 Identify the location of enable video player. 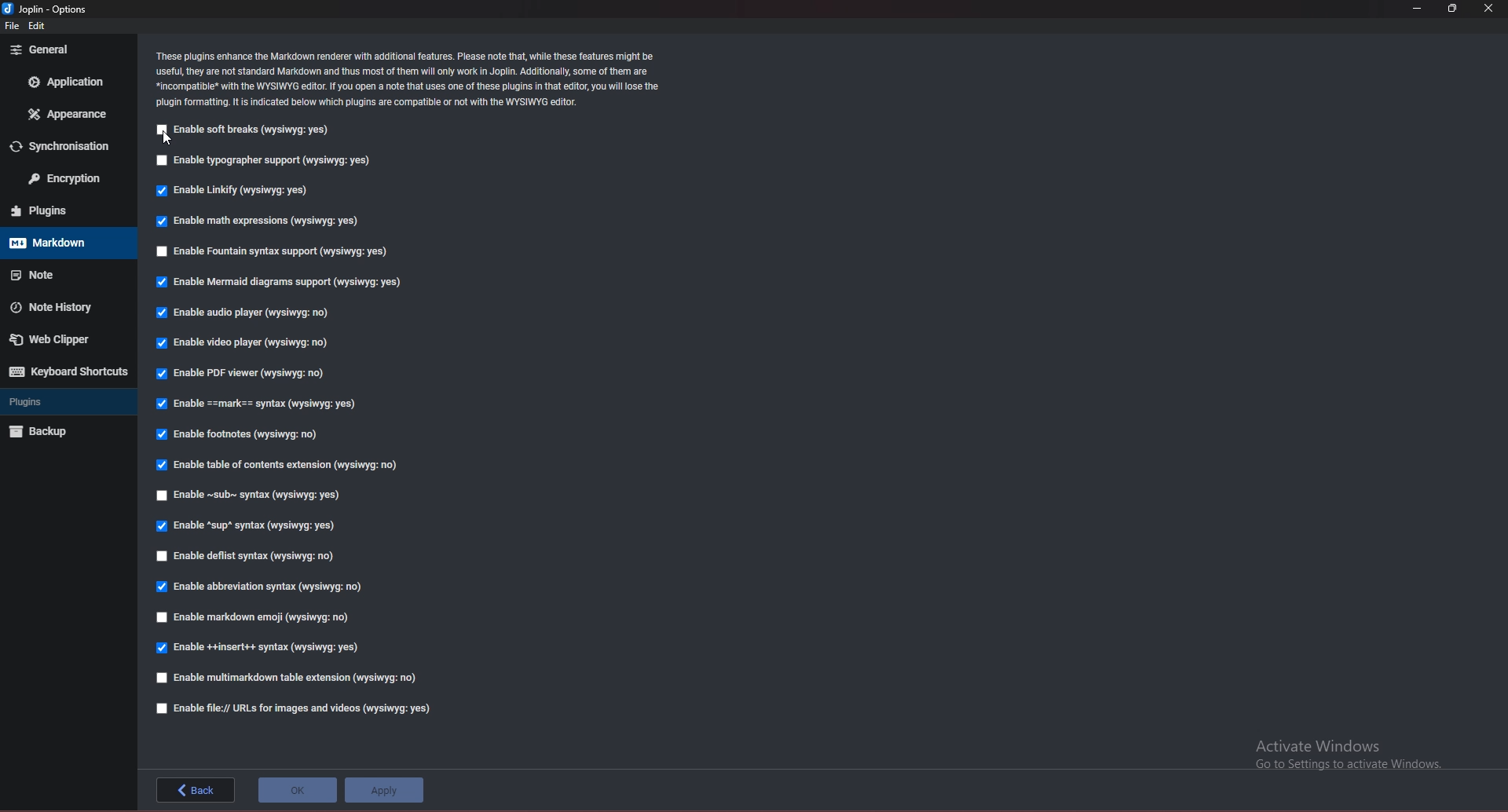
(247, 344).